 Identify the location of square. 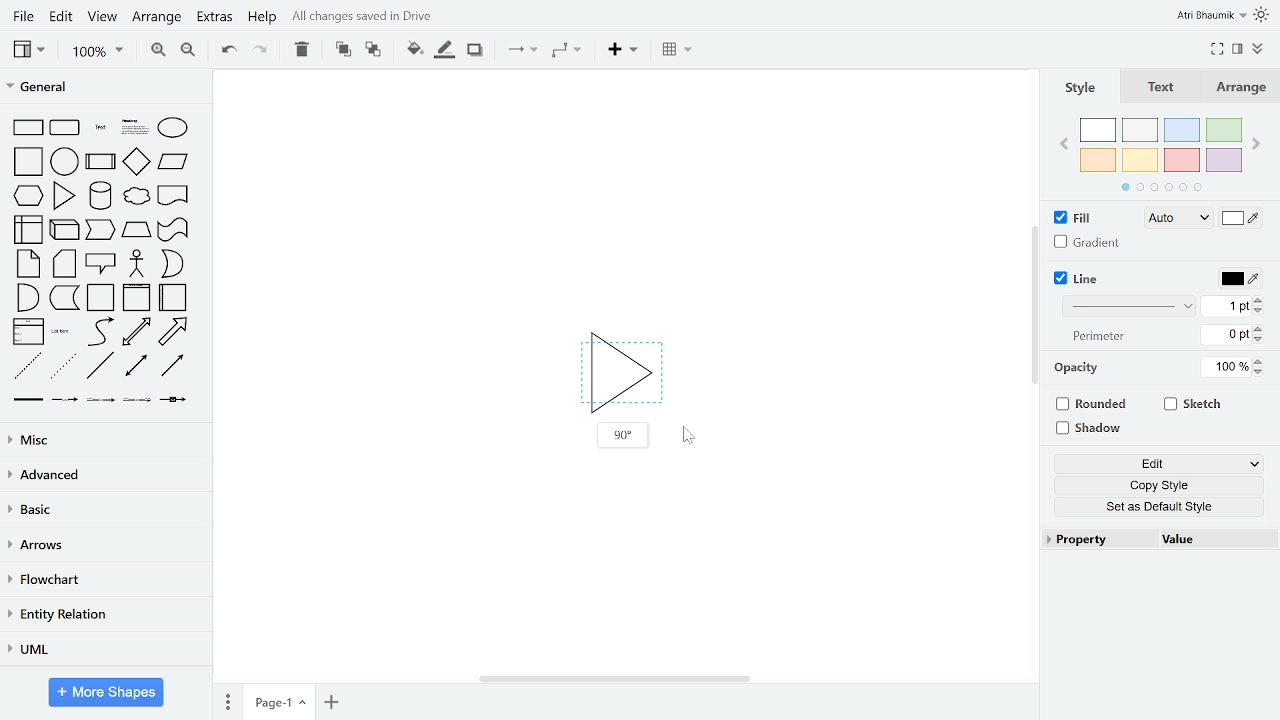
(25, 161).